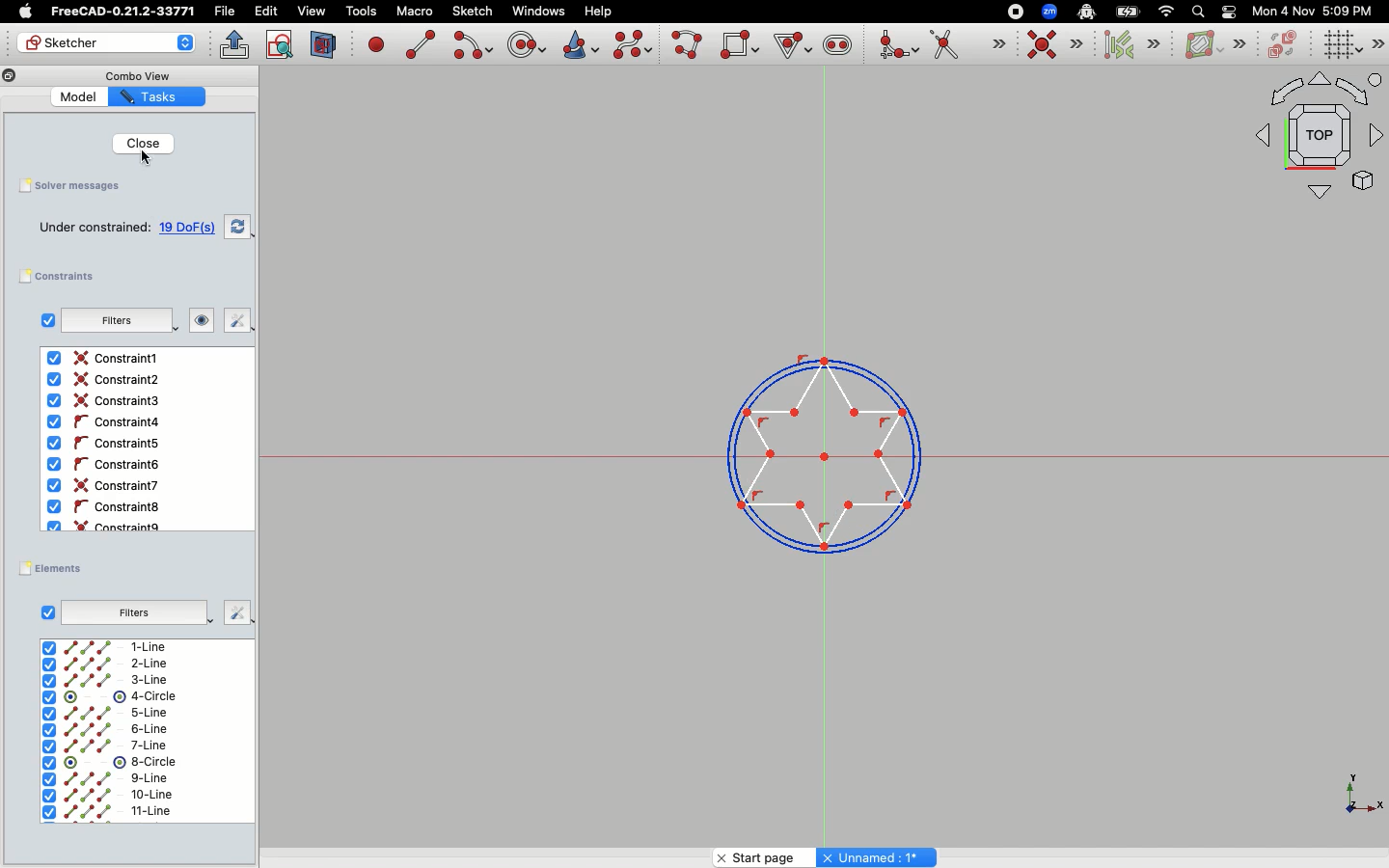 The height and width of the screenshot is (868, 1389). I want to click on File, so click(227, 12).